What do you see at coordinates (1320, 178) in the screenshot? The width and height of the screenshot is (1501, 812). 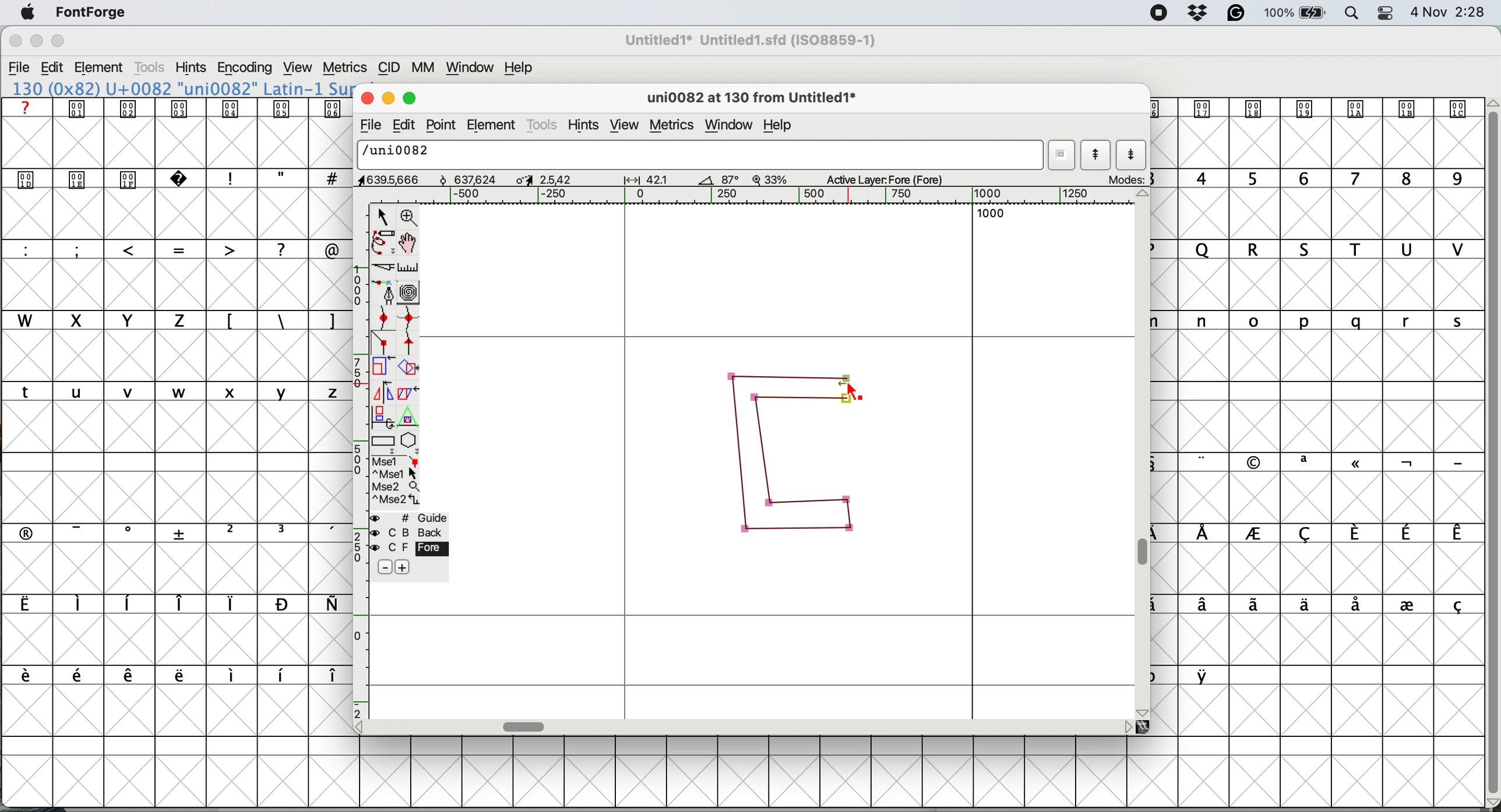 I see `numbers` at bounding box center [1320, 178].